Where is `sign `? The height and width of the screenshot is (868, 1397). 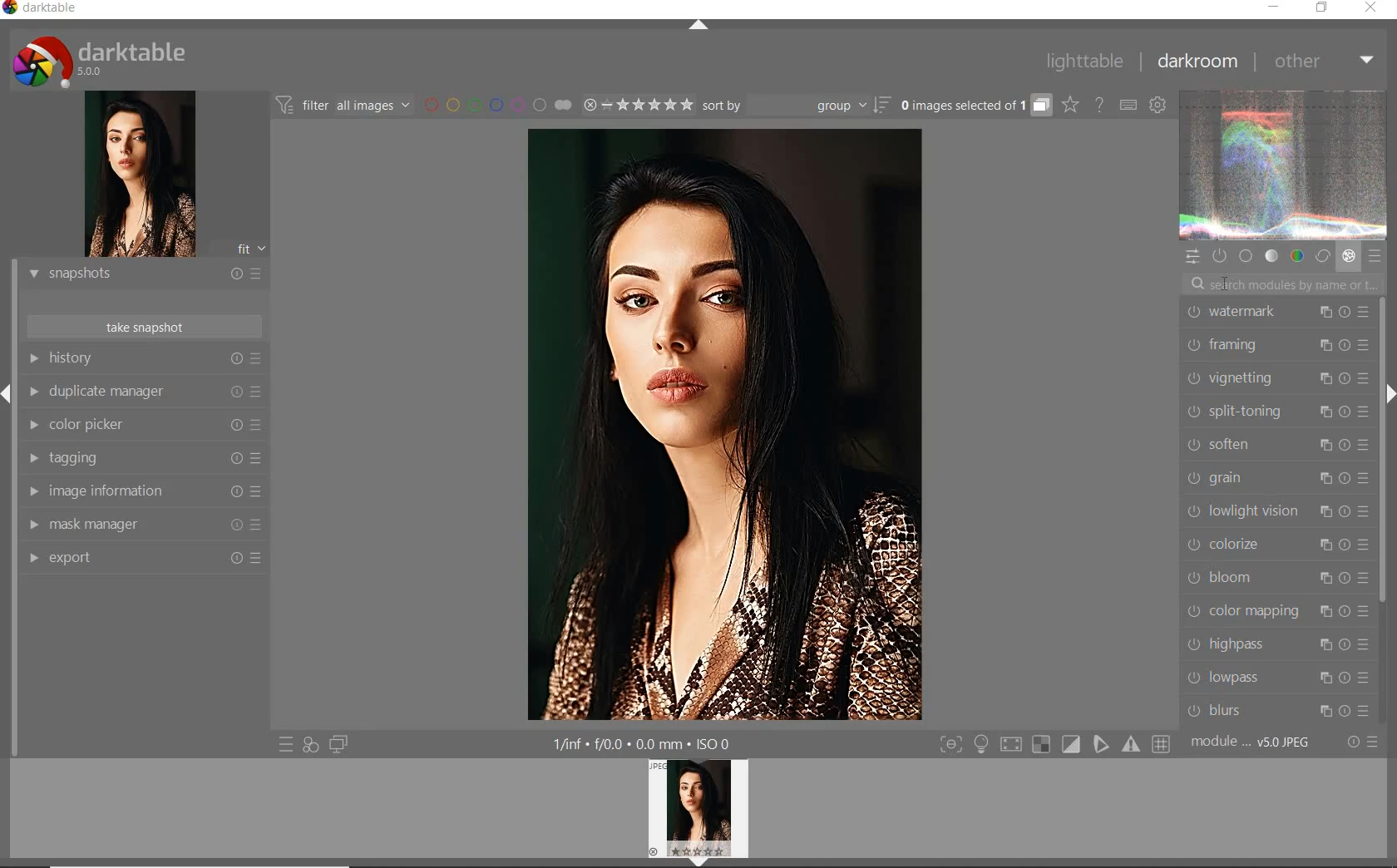
sign  is located at coordinates (1072, 745).